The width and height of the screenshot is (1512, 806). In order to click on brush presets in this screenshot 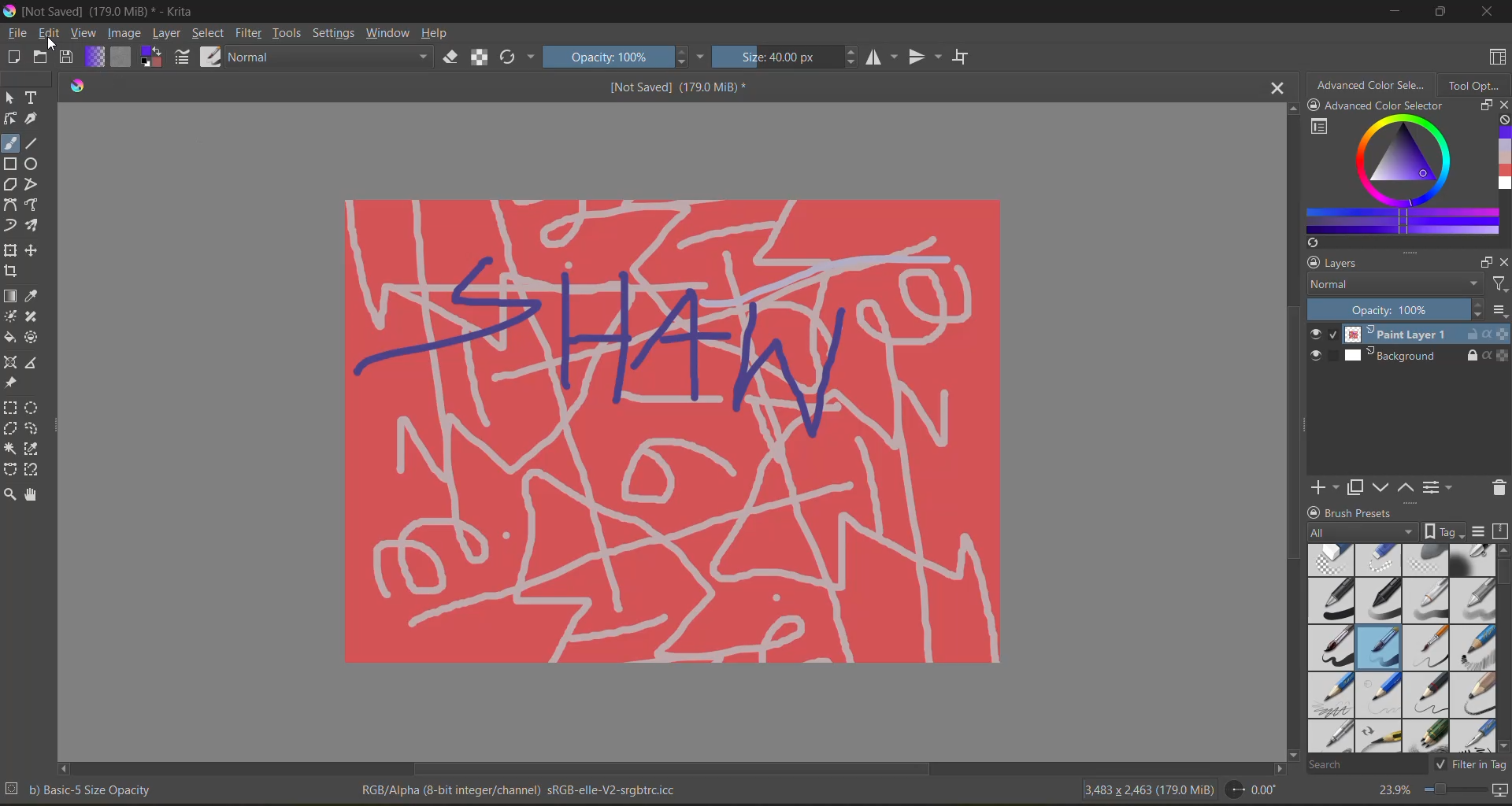, I will do `click(1365, 512)`.